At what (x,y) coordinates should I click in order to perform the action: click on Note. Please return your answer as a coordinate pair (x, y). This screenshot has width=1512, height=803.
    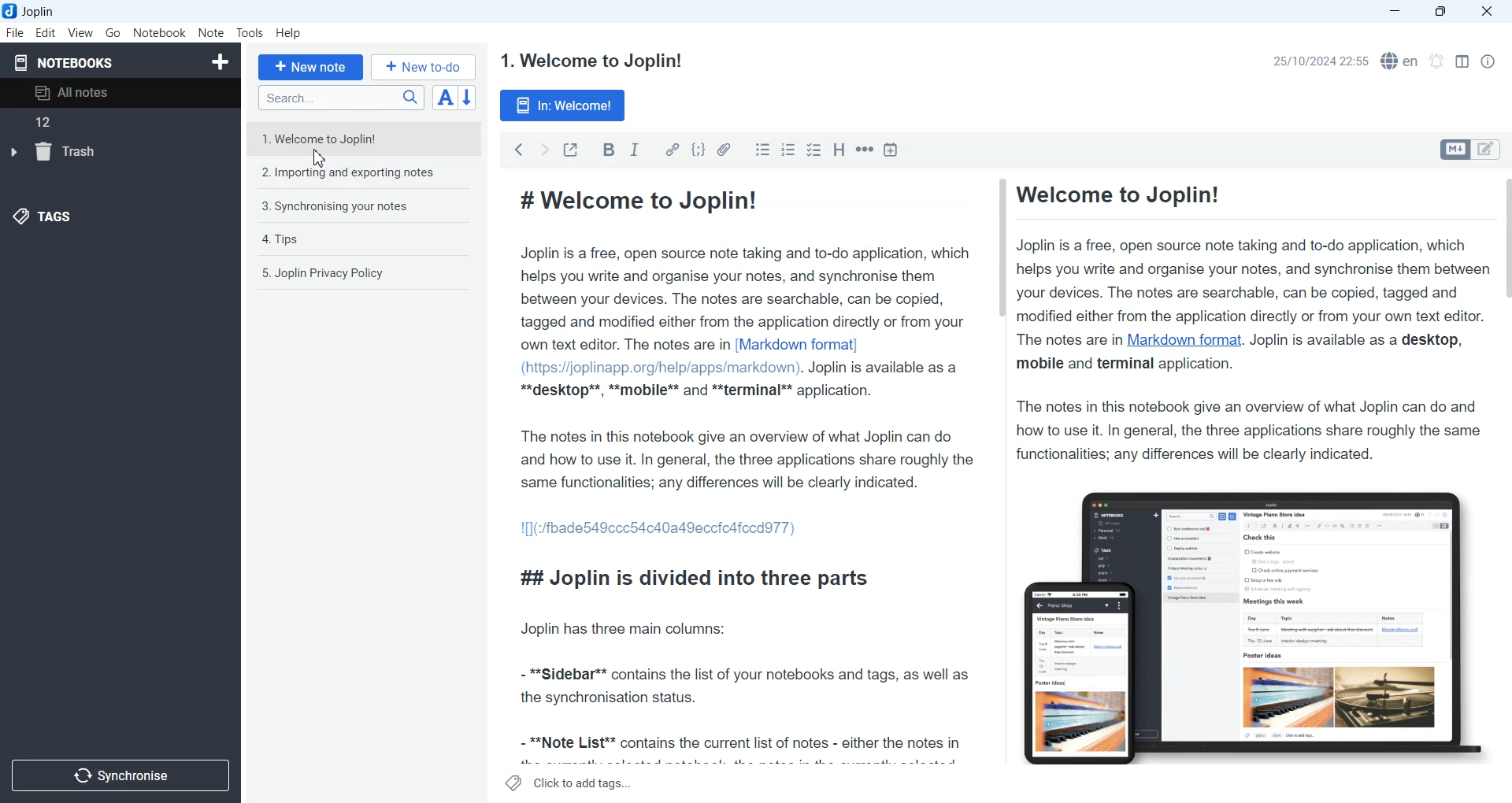
    Looking at the image, I should click on (210, 33).